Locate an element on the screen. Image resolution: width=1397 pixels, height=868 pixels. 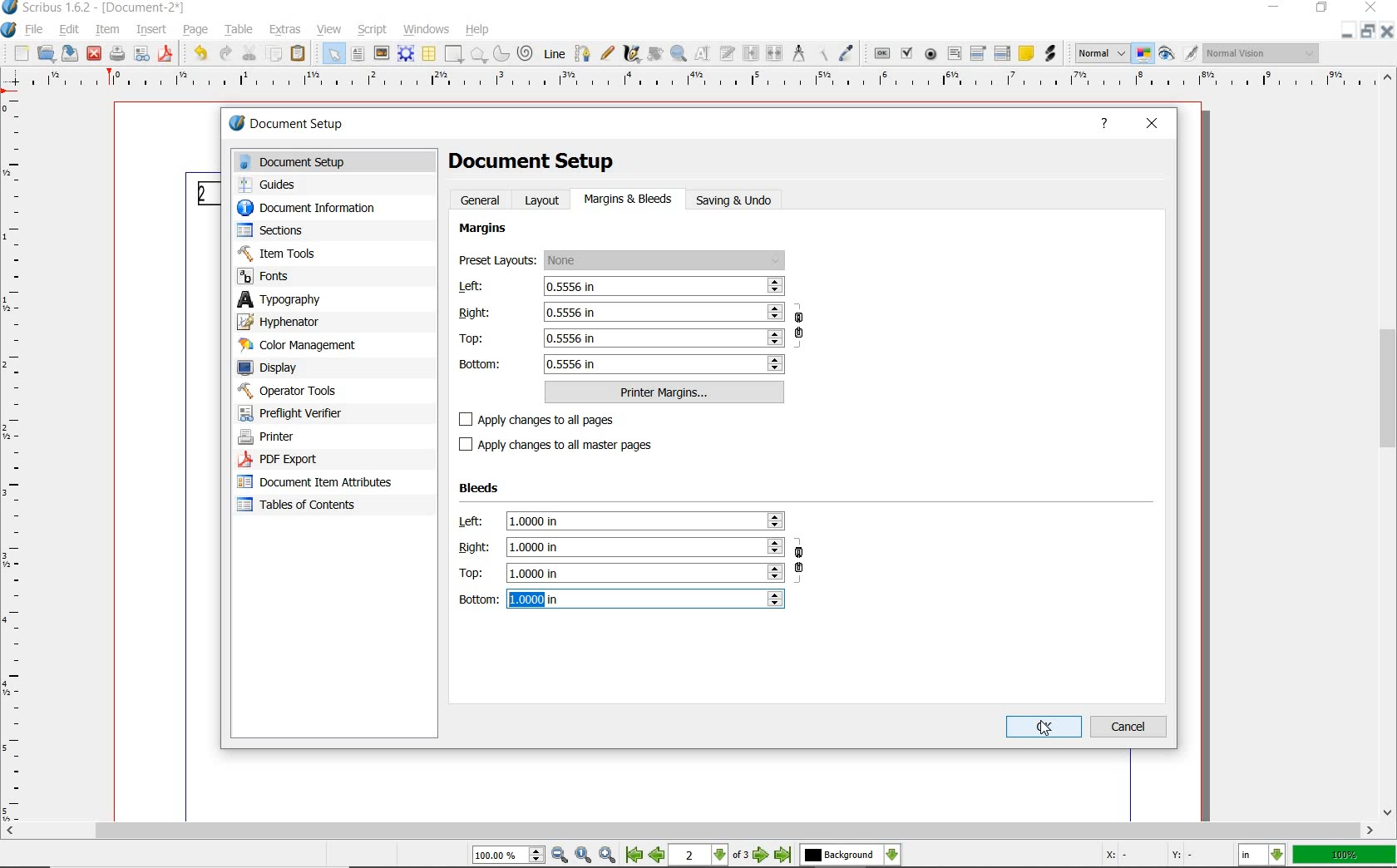
image frame is located at coordinates (380, 54).